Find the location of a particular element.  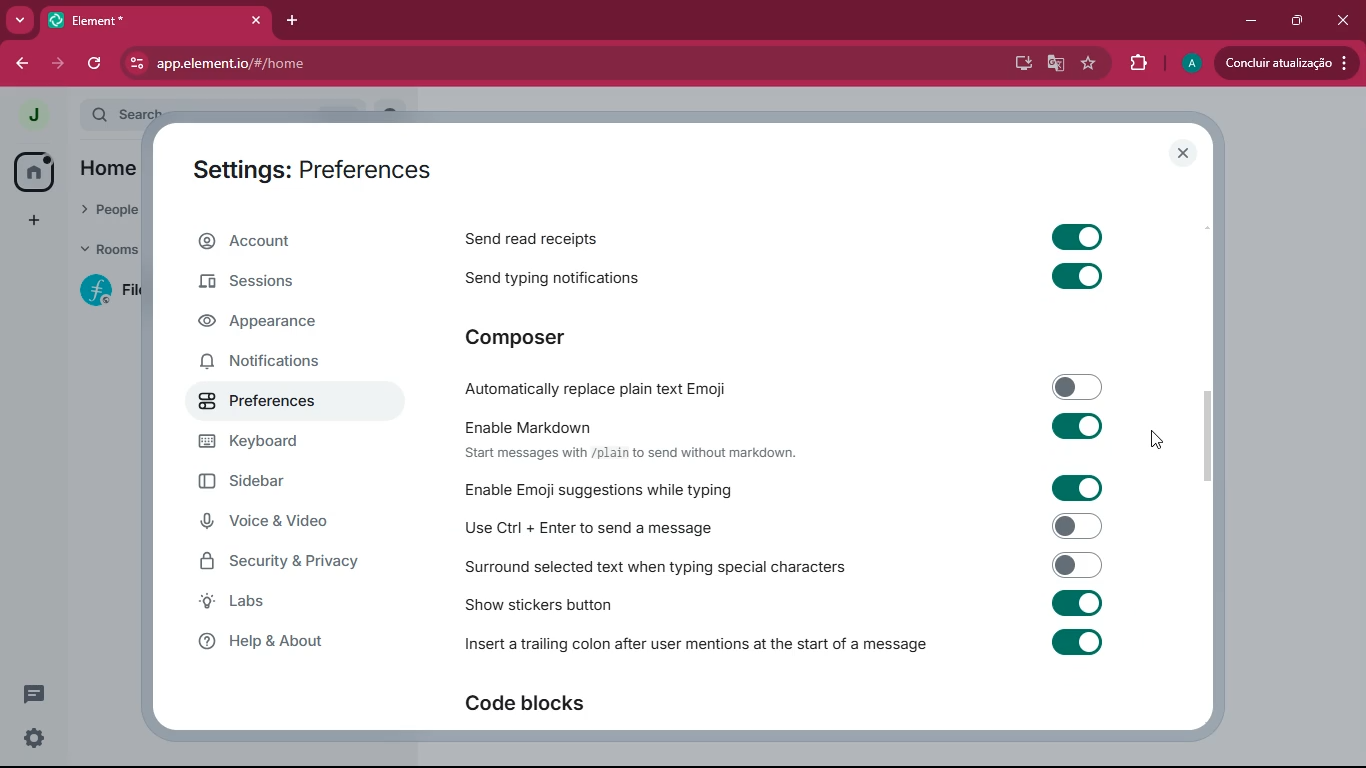

toggle on or off is located at coordinates (1076, 641).